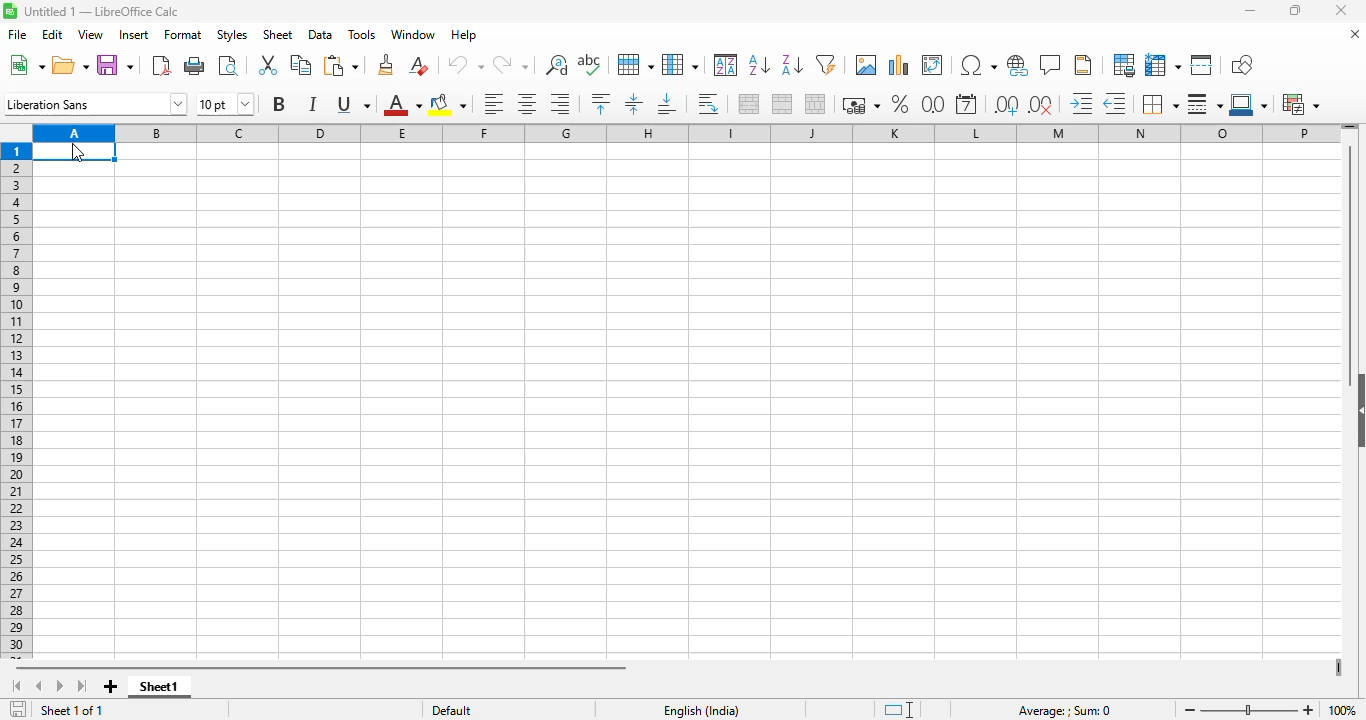  What do you see at coordinates (447, 105) in the screenshot?
I see `background color` at bounding box center [447, 105].